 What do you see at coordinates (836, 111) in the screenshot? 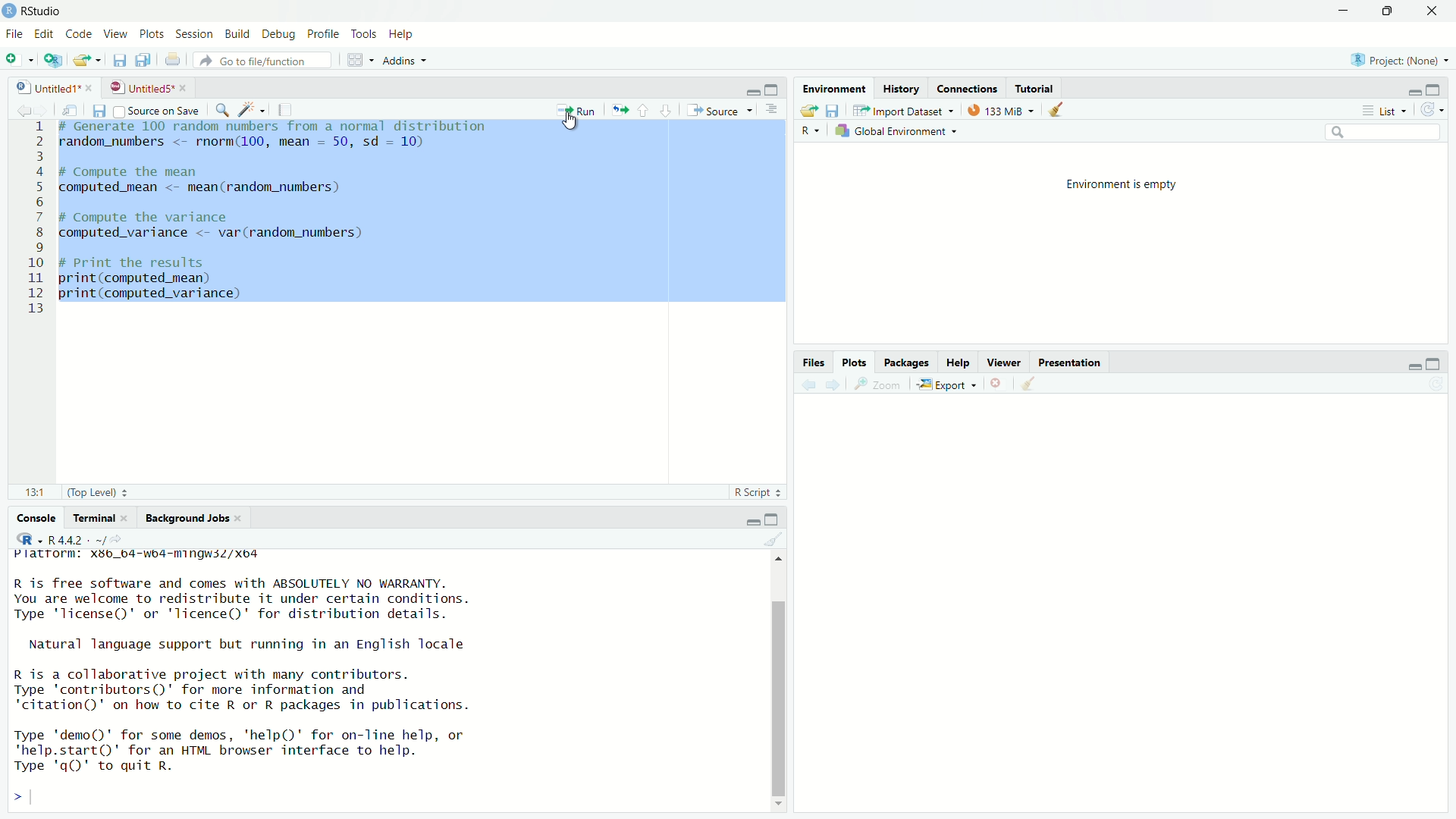
I see `save workspace as` at bounding box center [836, 111].